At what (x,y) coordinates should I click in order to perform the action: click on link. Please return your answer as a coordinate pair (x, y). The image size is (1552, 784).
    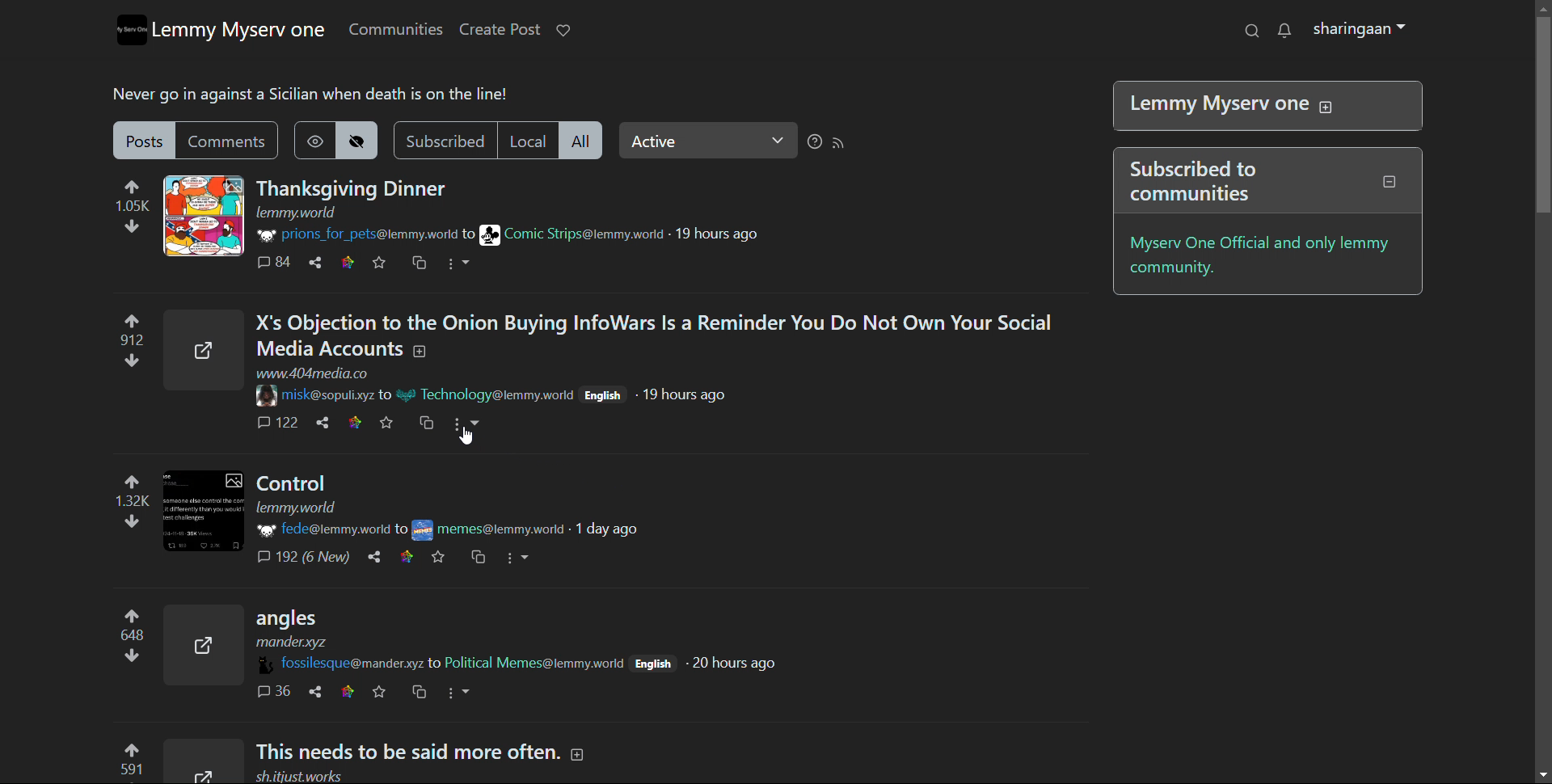
    Looking at the image, I should click on (409, 556).